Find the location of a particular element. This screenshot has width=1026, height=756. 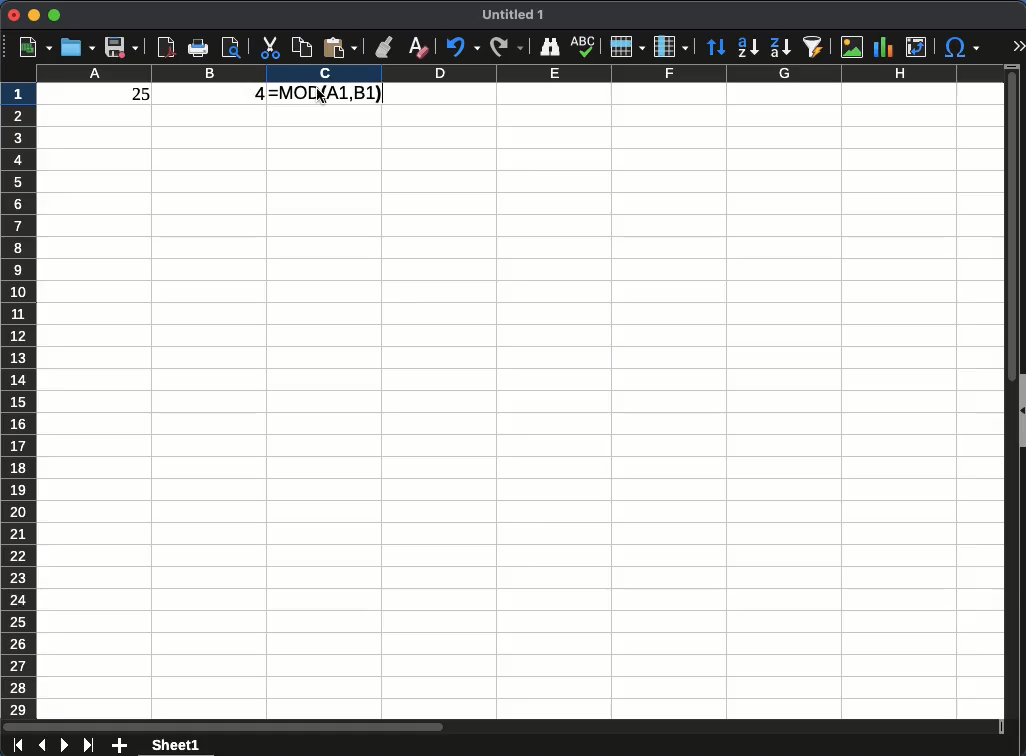

last sheet is located at coordinates (90, 745).